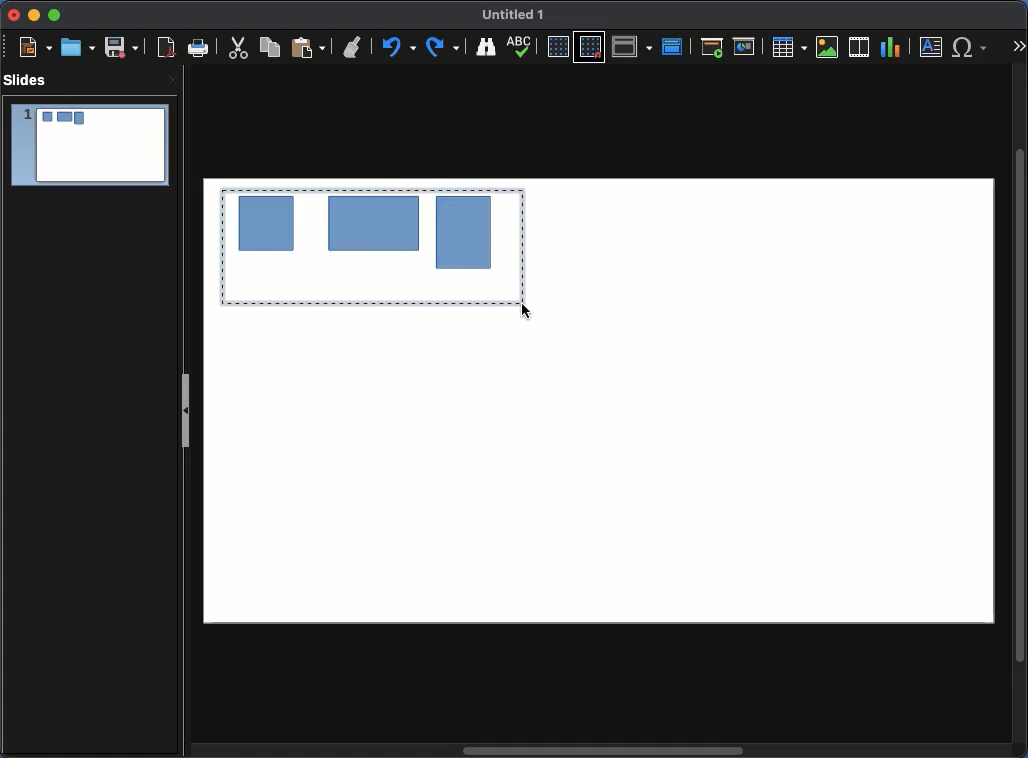 The image size is (1028, 758). Describe the element at coordinates (590, 48) in the screenshot. I see `Snap to grid` at that location.